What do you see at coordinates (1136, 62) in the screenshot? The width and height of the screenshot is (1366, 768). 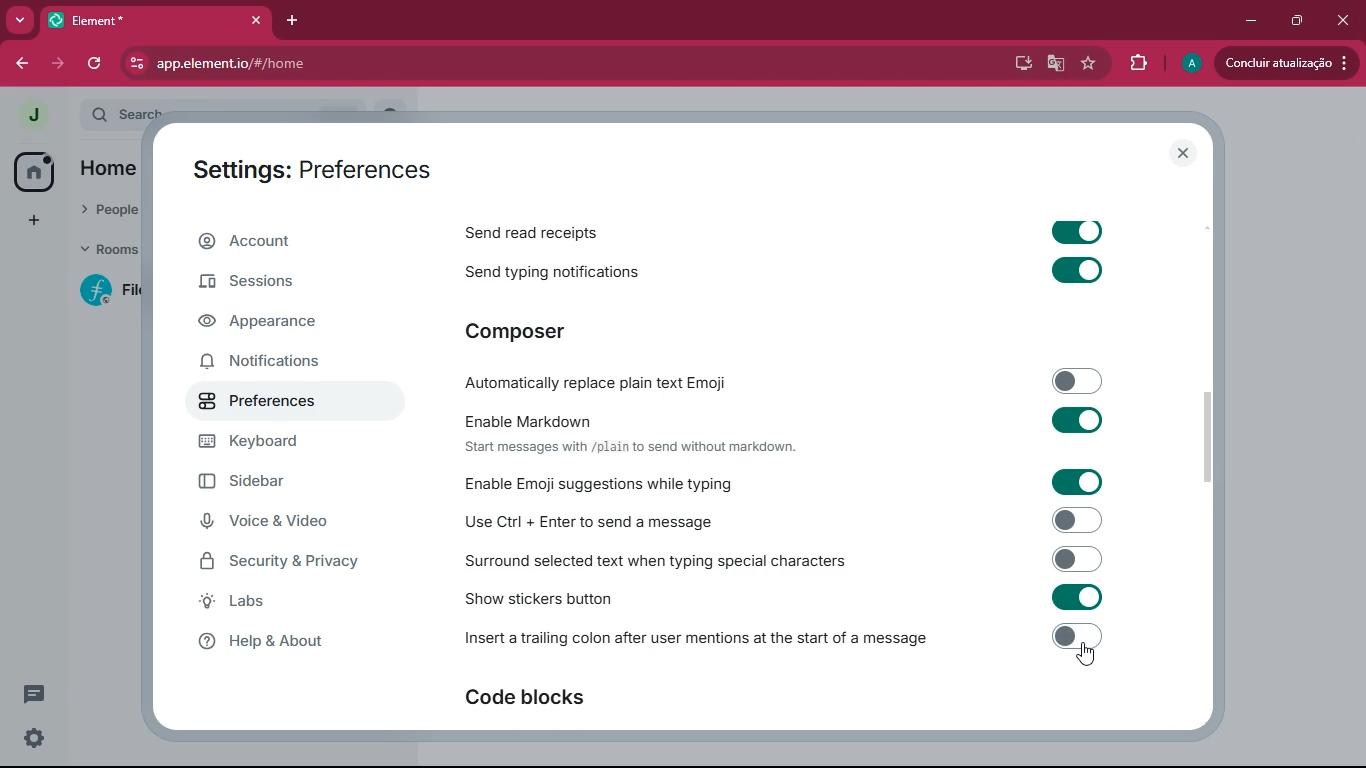 I see `extensions` at bounding box center [1136, 62].